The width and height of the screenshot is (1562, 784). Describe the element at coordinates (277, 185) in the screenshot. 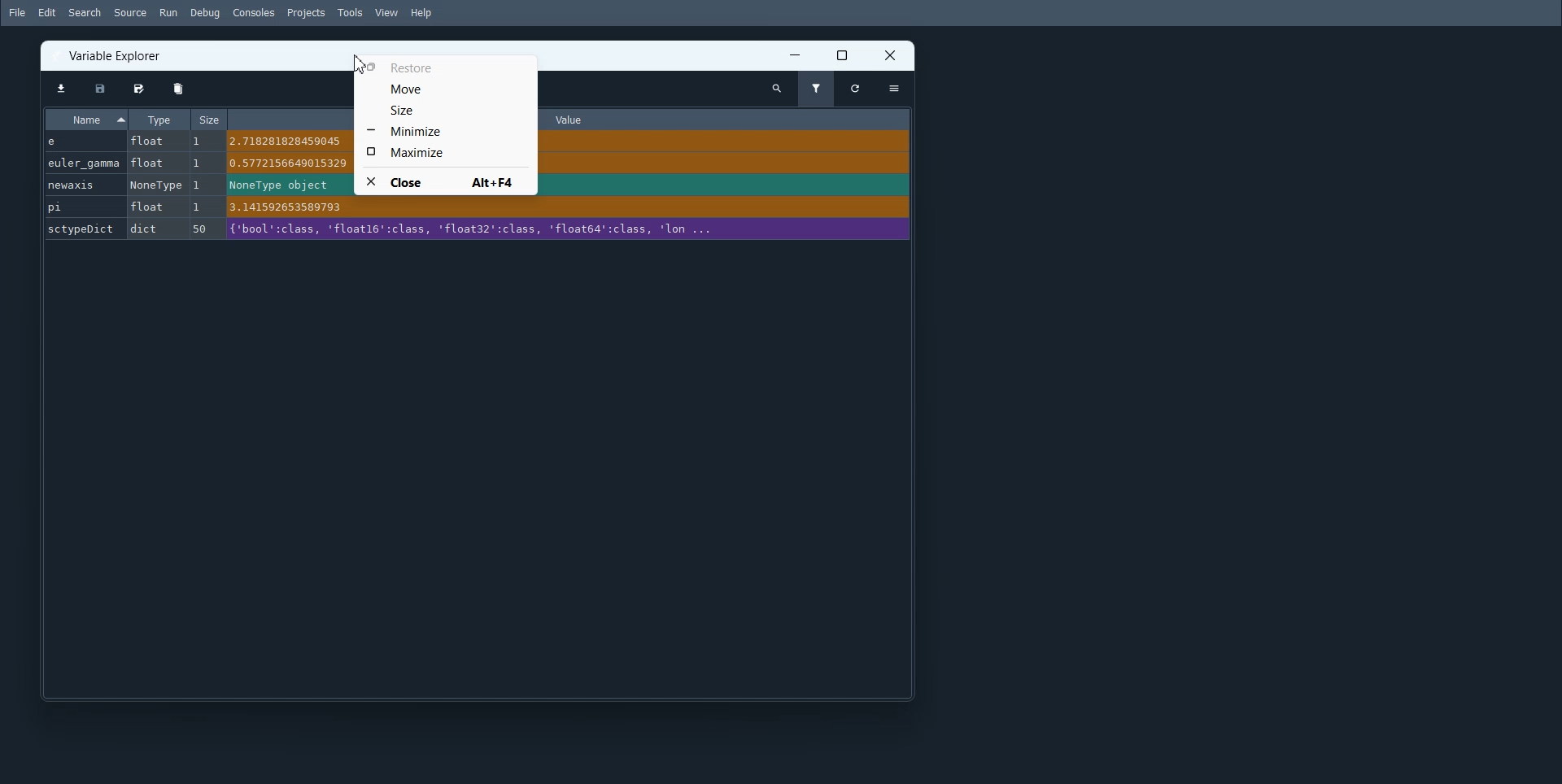

I see `NoneType object` at that location.